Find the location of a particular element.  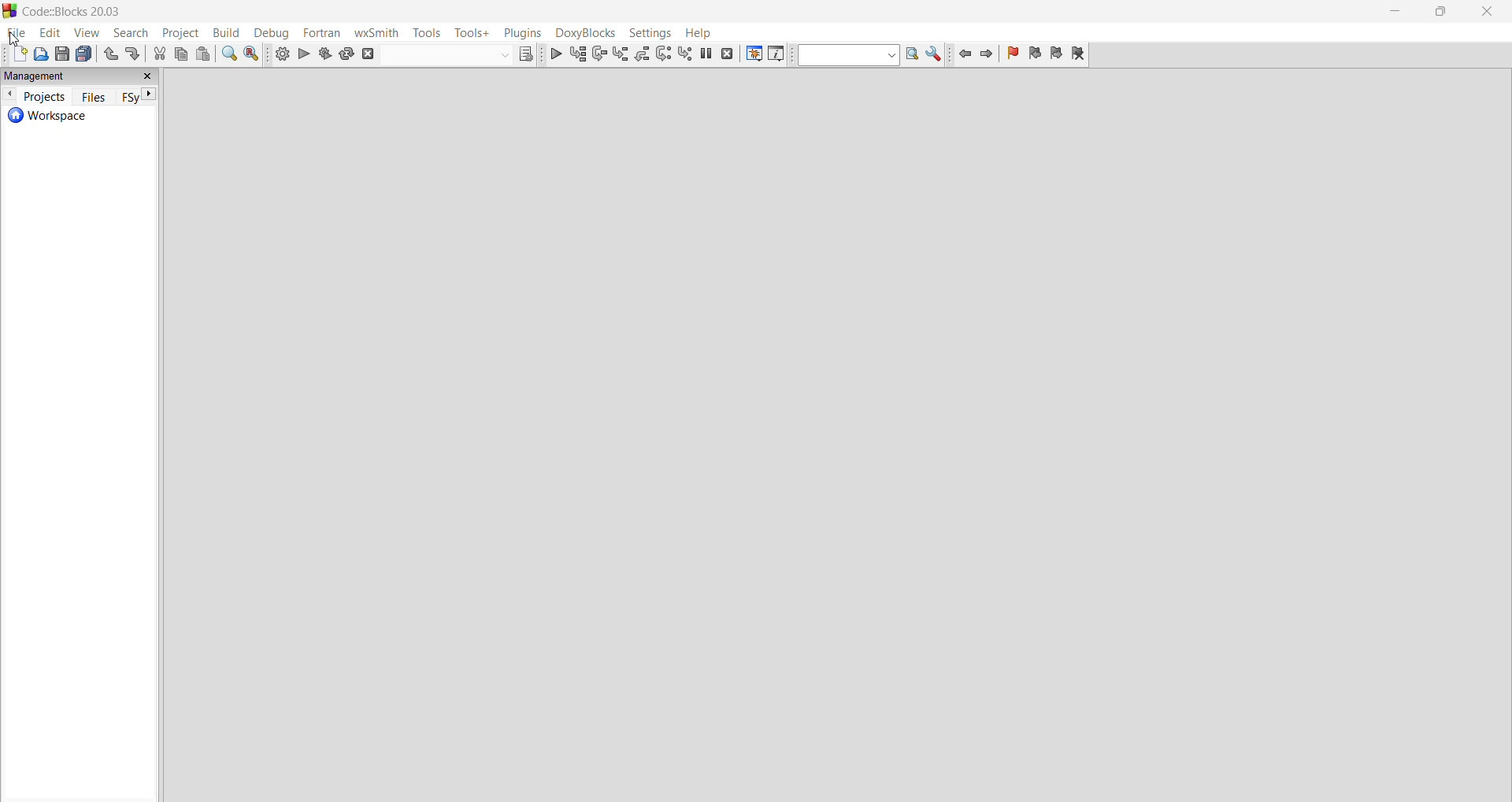

settings is located at coordinates (648, 32).